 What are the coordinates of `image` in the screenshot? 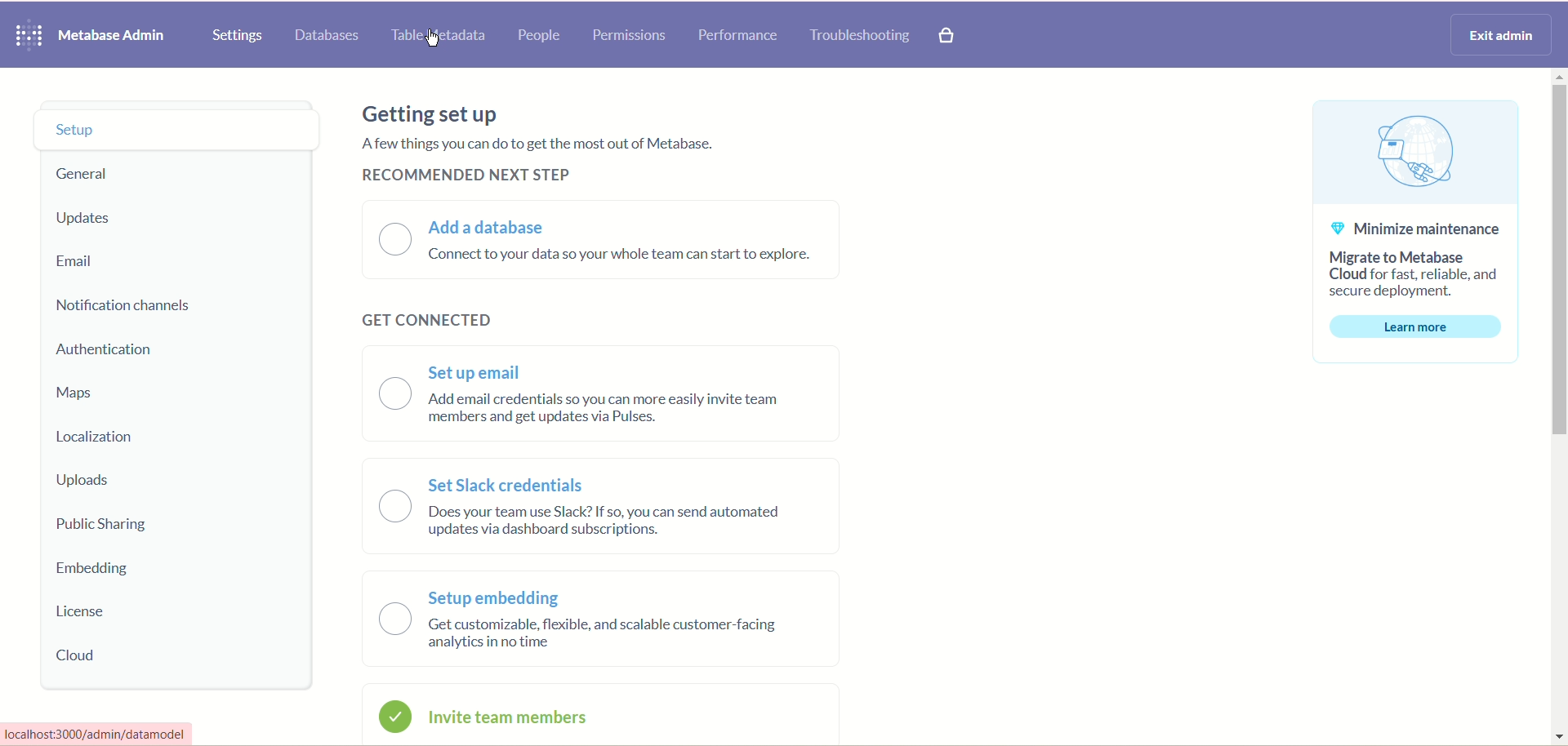 It's located at (1415, 153).